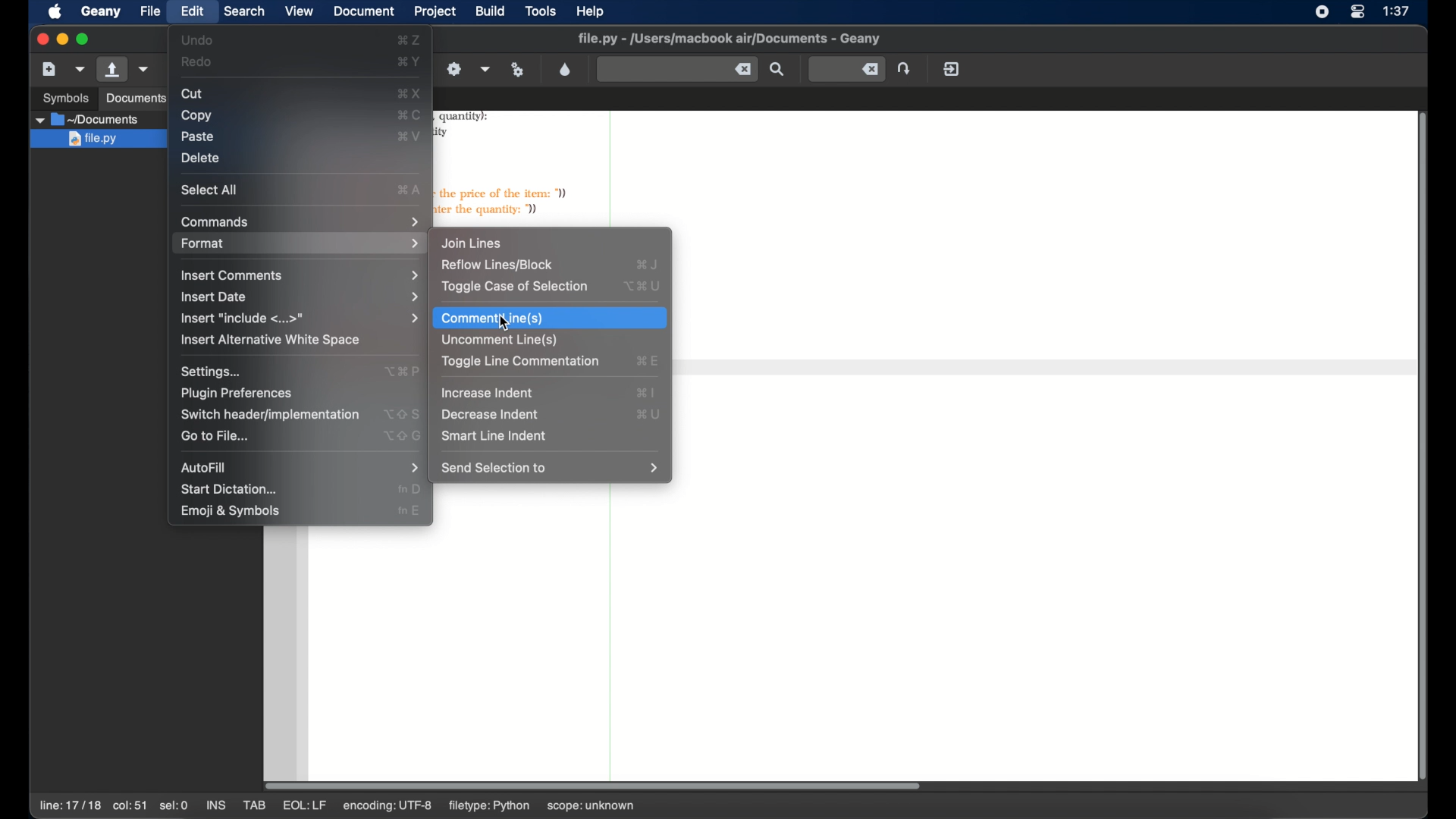  I want to click on view, so click(300, 10).